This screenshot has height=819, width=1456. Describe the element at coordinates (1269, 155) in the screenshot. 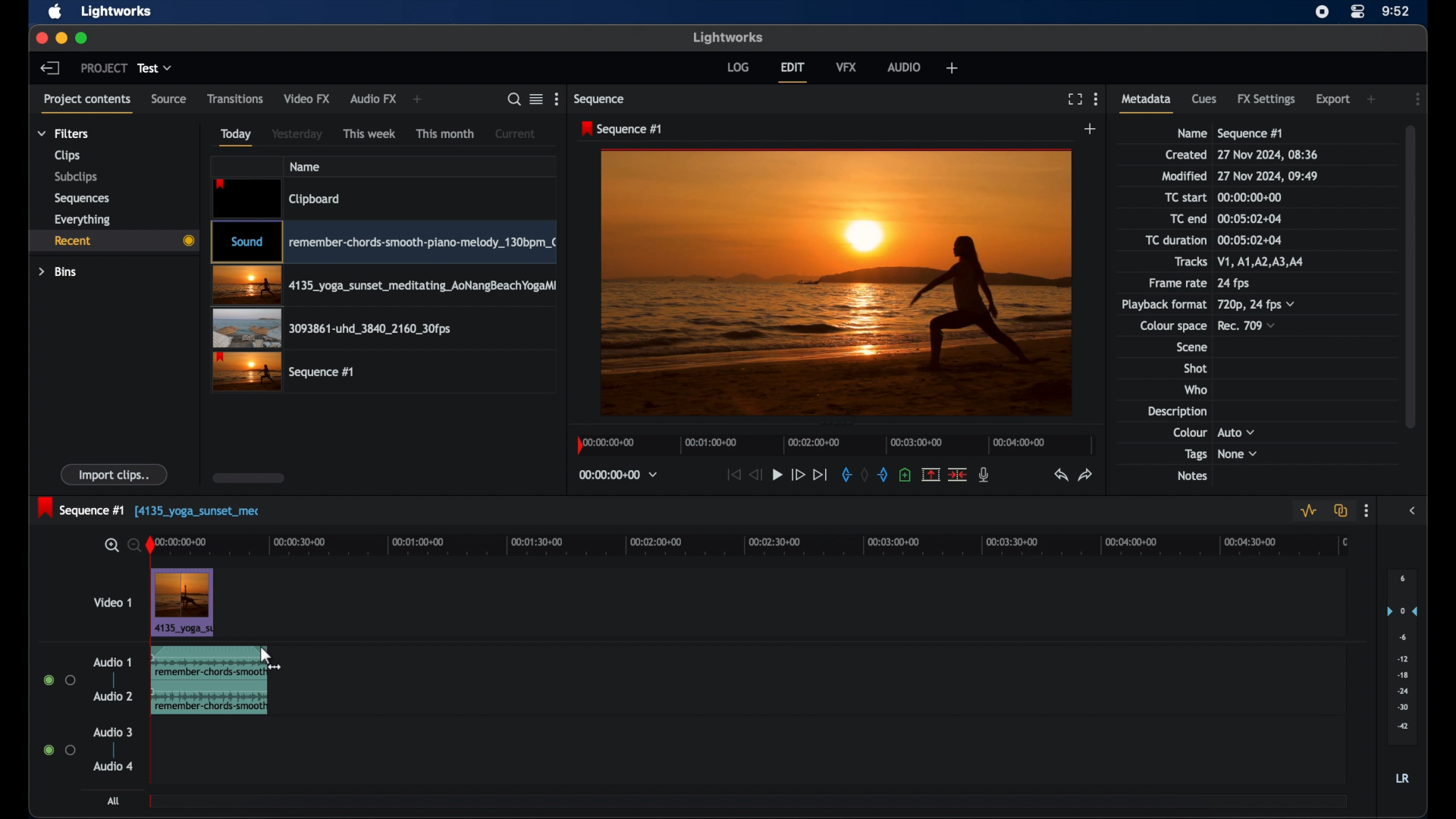

I see `date` at that location.